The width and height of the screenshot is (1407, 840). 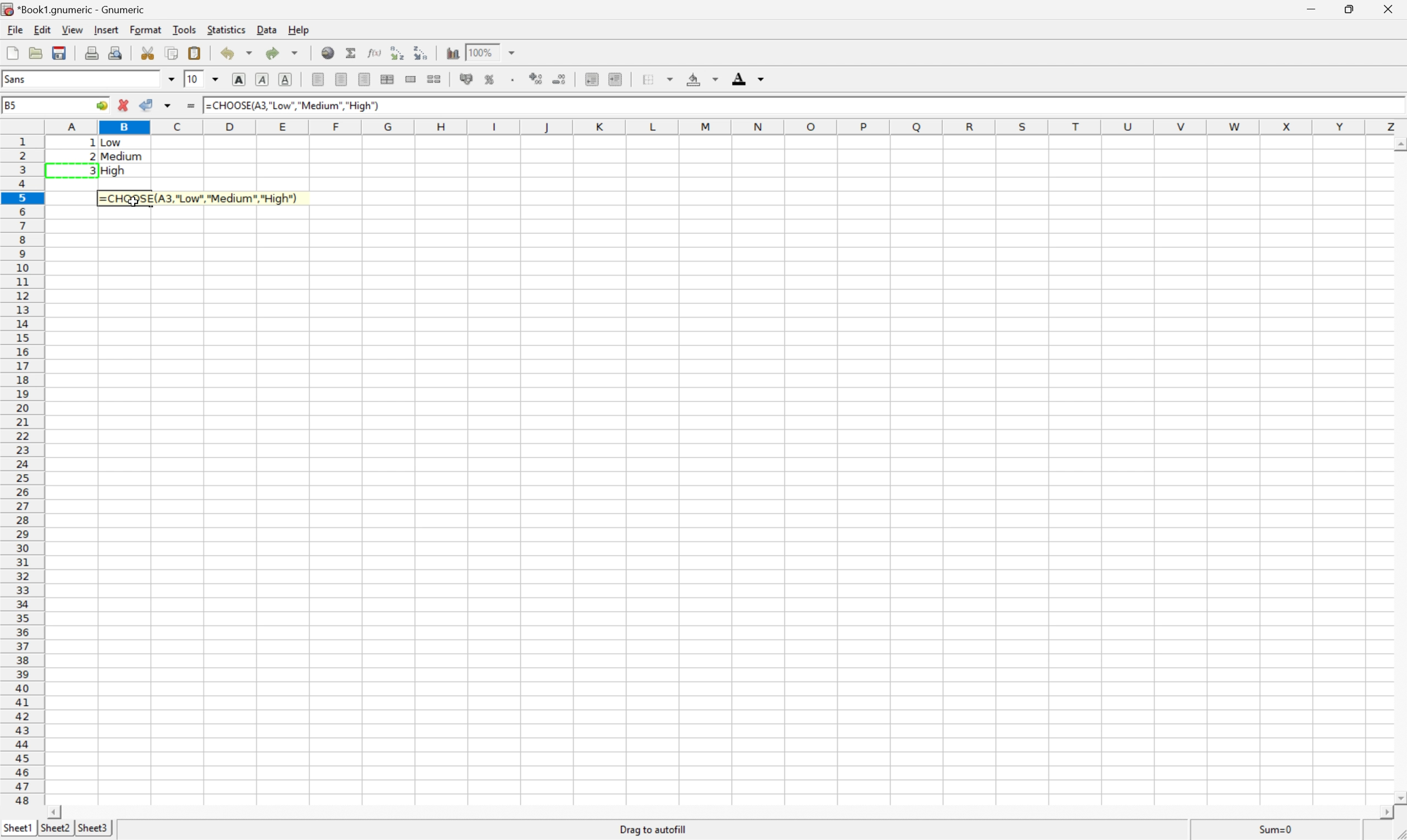 What do you see at coordinates (559, 79) in the screenshot?
I see `Decrease the number of decimals displayed` at bounding box center [559, 79].